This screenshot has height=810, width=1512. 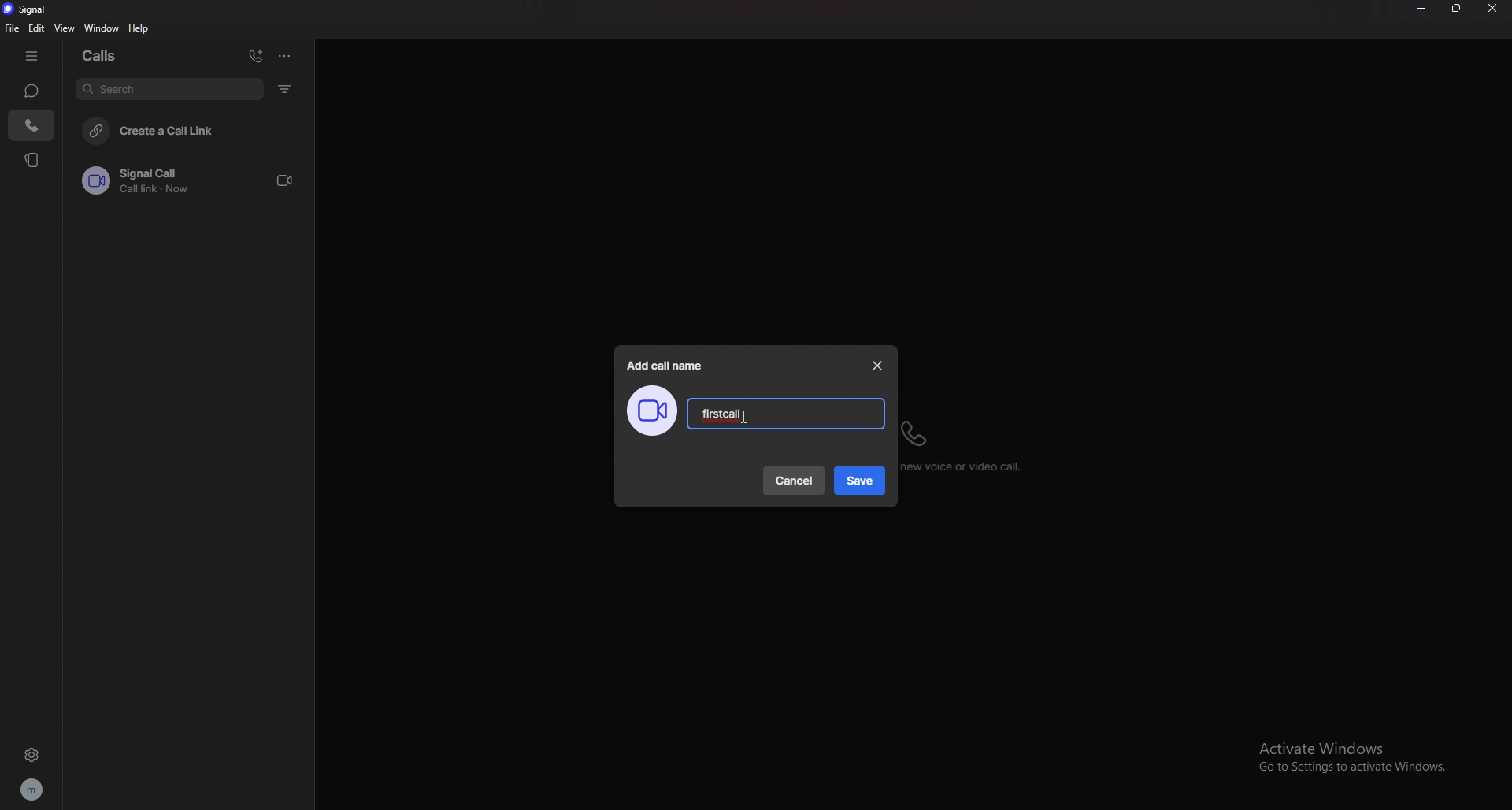 I want to click on cursor, so click(x=739, y=418).